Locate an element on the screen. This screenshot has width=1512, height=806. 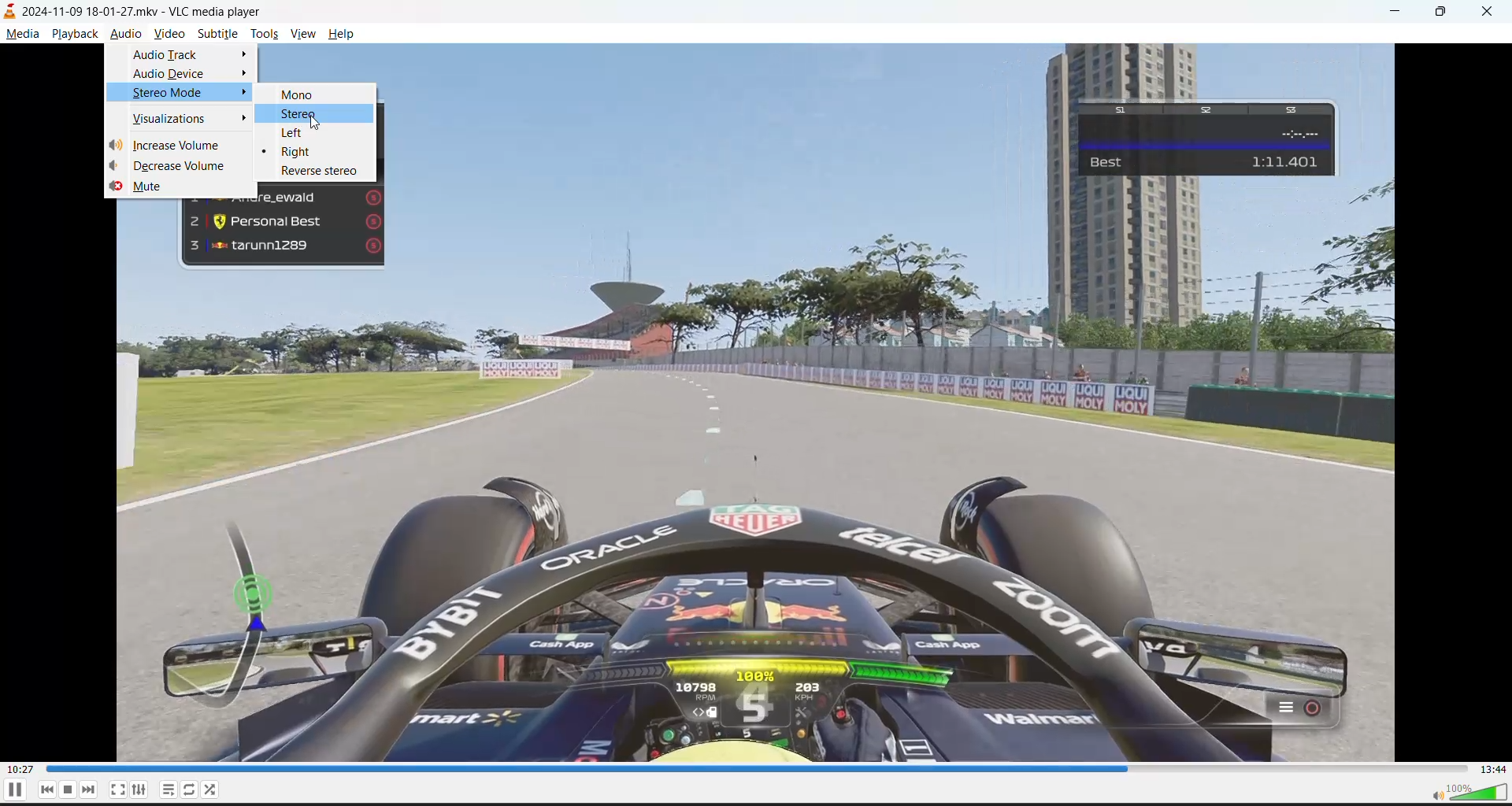
preview is located at coordinates (1206, 233).